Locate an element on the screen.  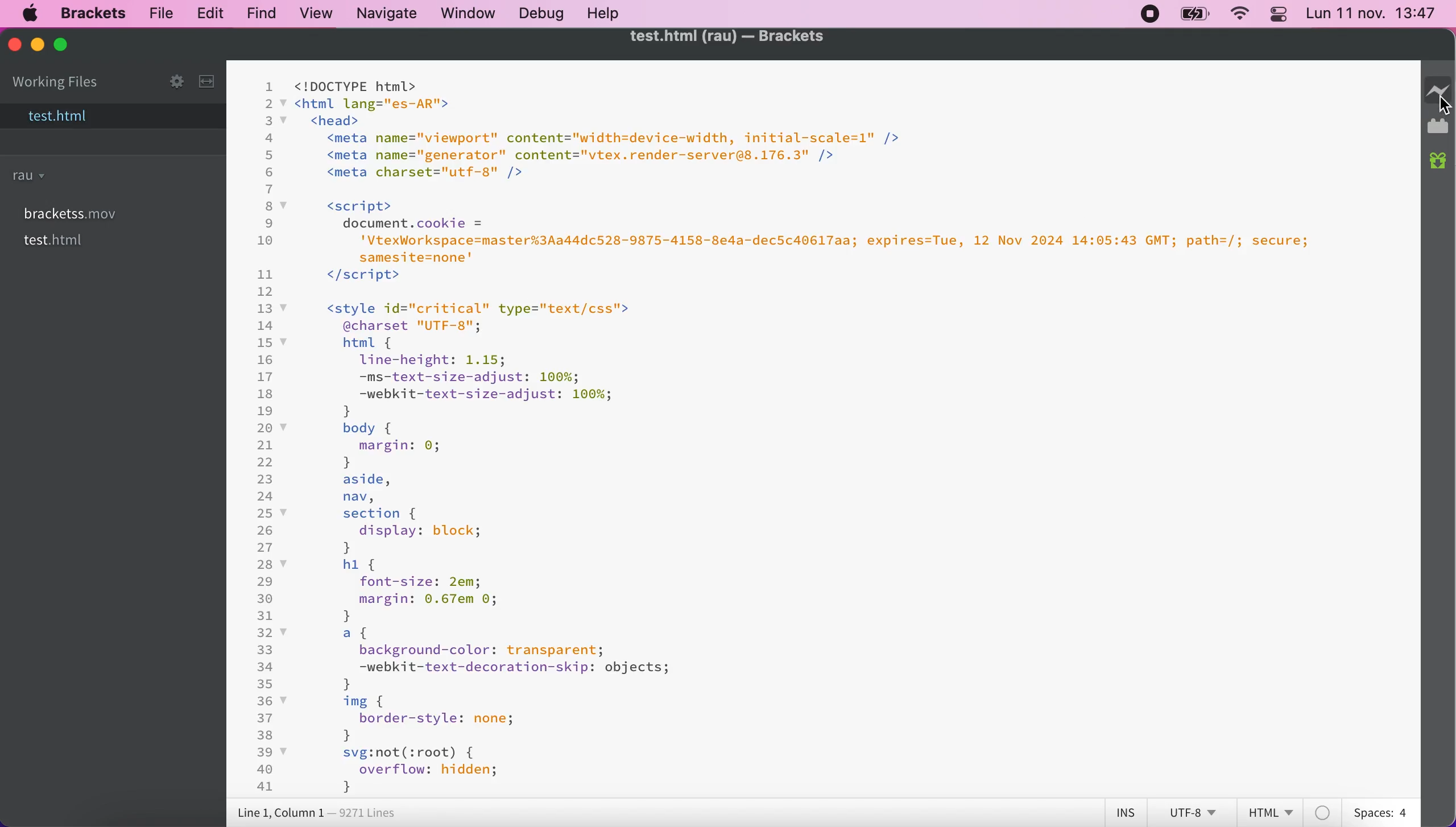
brackets is located at coordinates (93, 13).